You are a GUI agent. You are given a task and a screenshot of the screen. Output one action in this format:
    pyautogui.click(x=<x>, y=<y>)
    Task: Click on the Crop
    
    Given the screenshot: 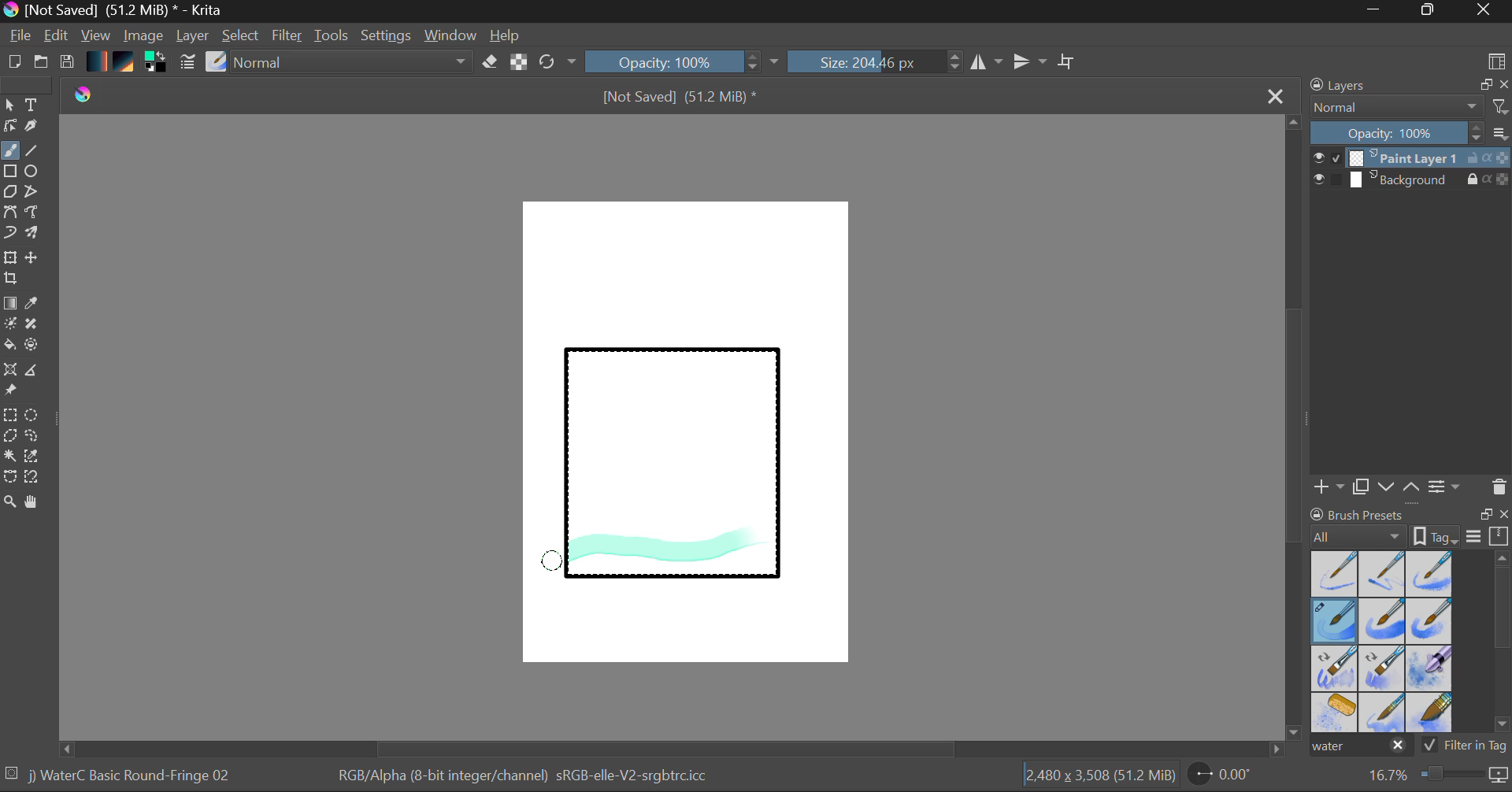 What is the action you would take?
    pyautogui.click(x=13, y=279)
    